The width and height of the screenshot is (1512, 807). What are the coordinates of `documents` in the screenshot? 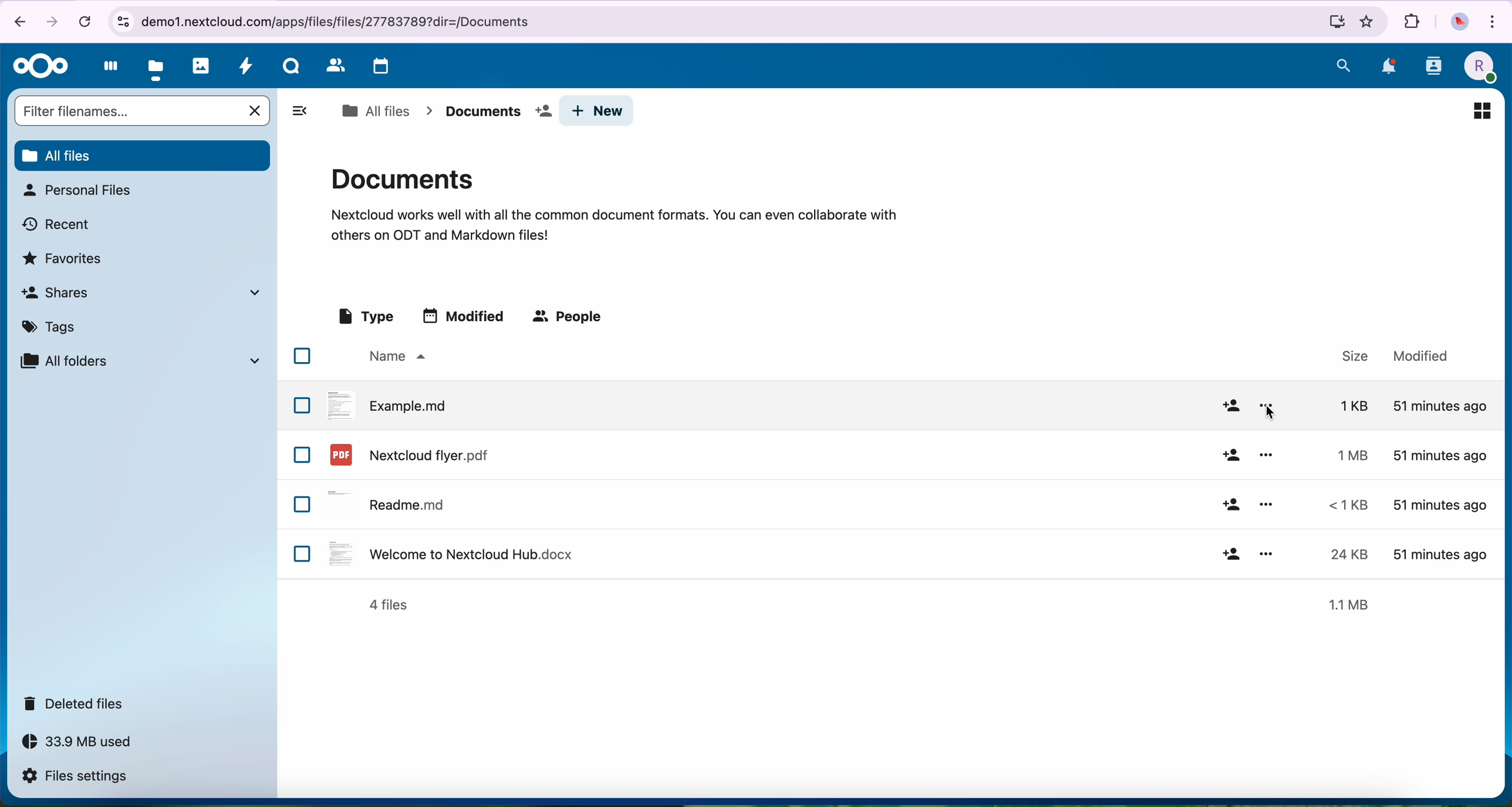 It's located at (497, 112).